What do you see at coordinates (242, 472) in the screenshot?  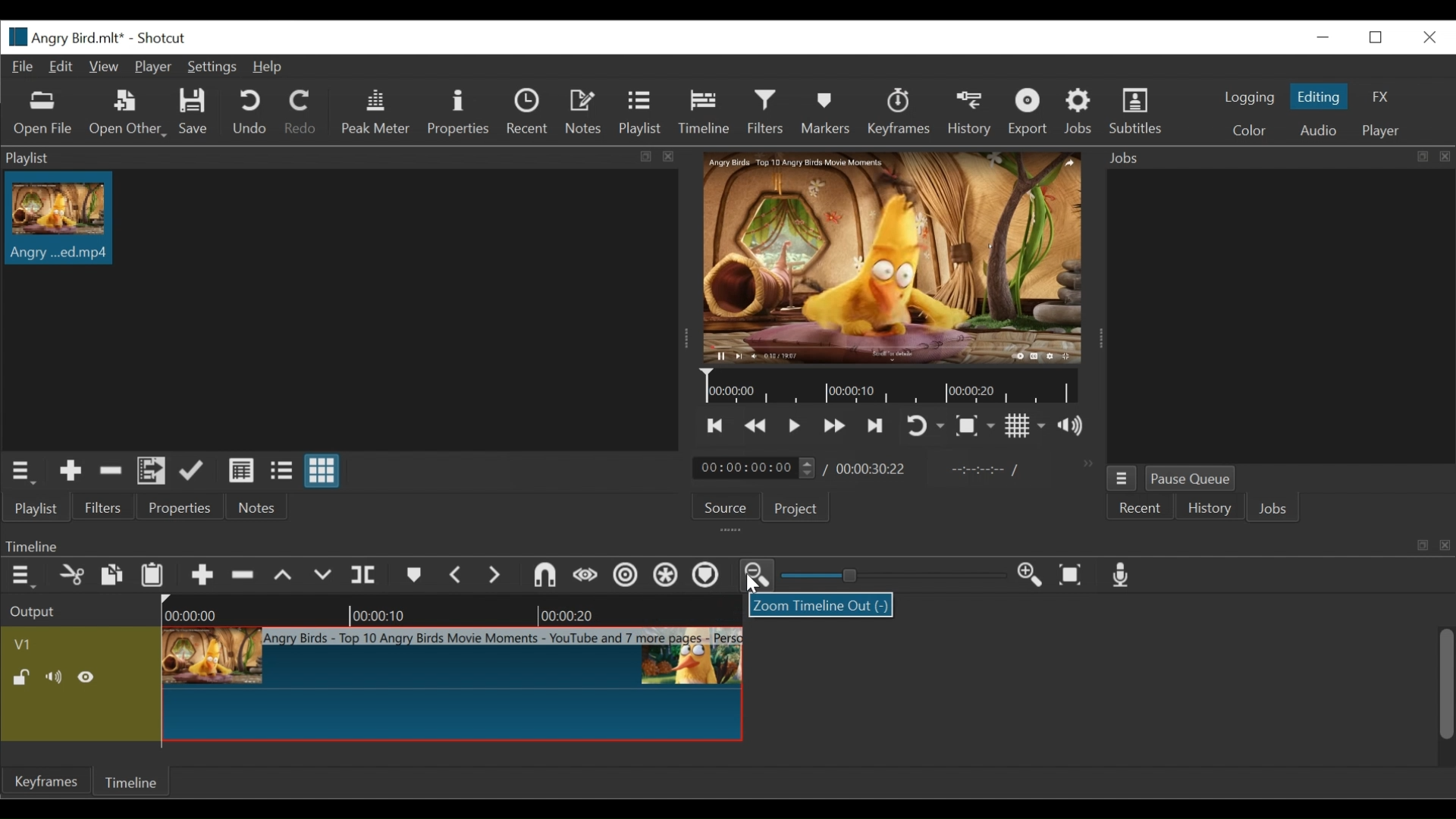 I see `View as detail` at bounding box center [242, 472].